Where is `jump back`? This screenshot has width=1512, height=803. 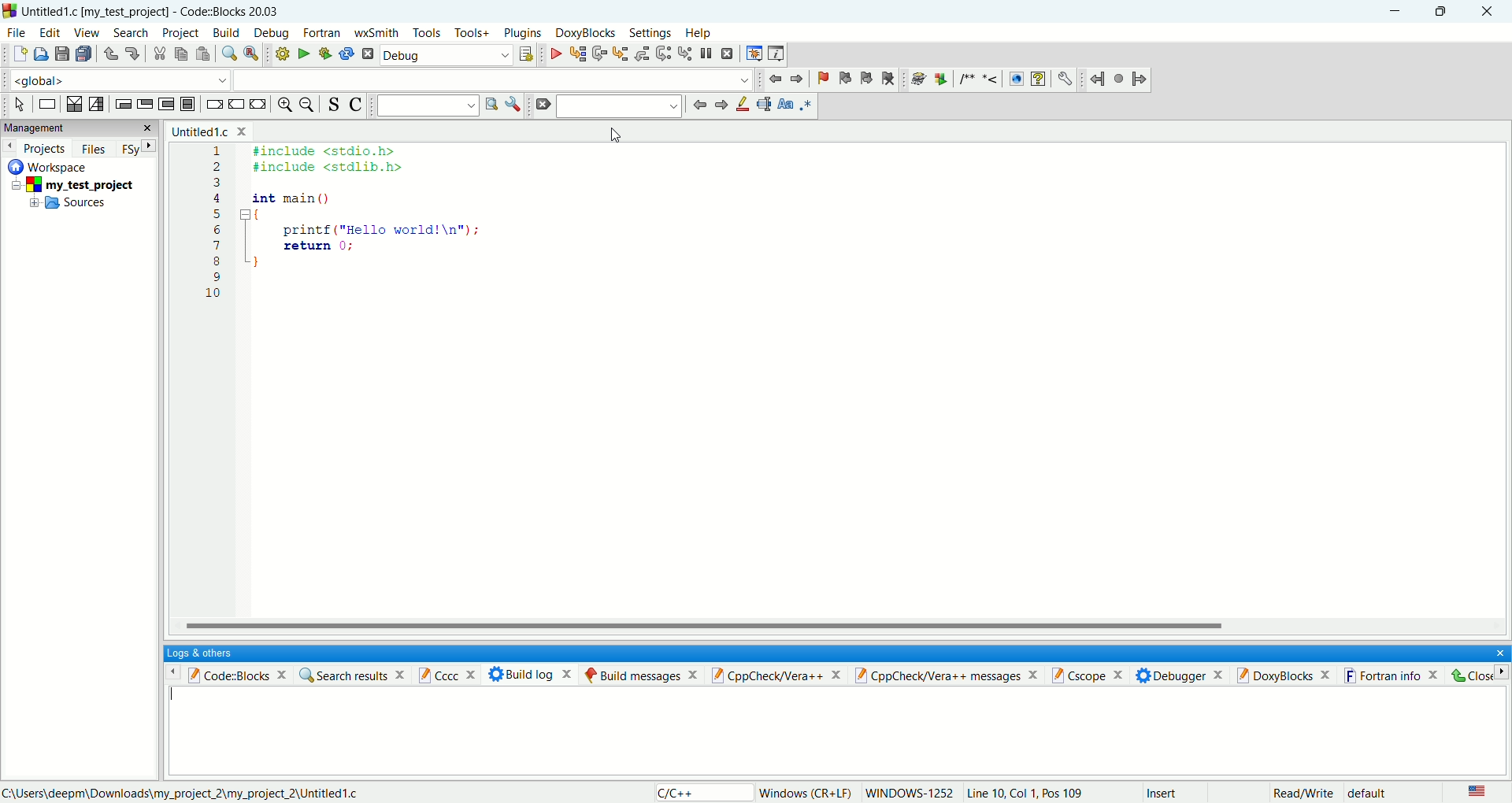 jump back is located at coordinates (699, 105).